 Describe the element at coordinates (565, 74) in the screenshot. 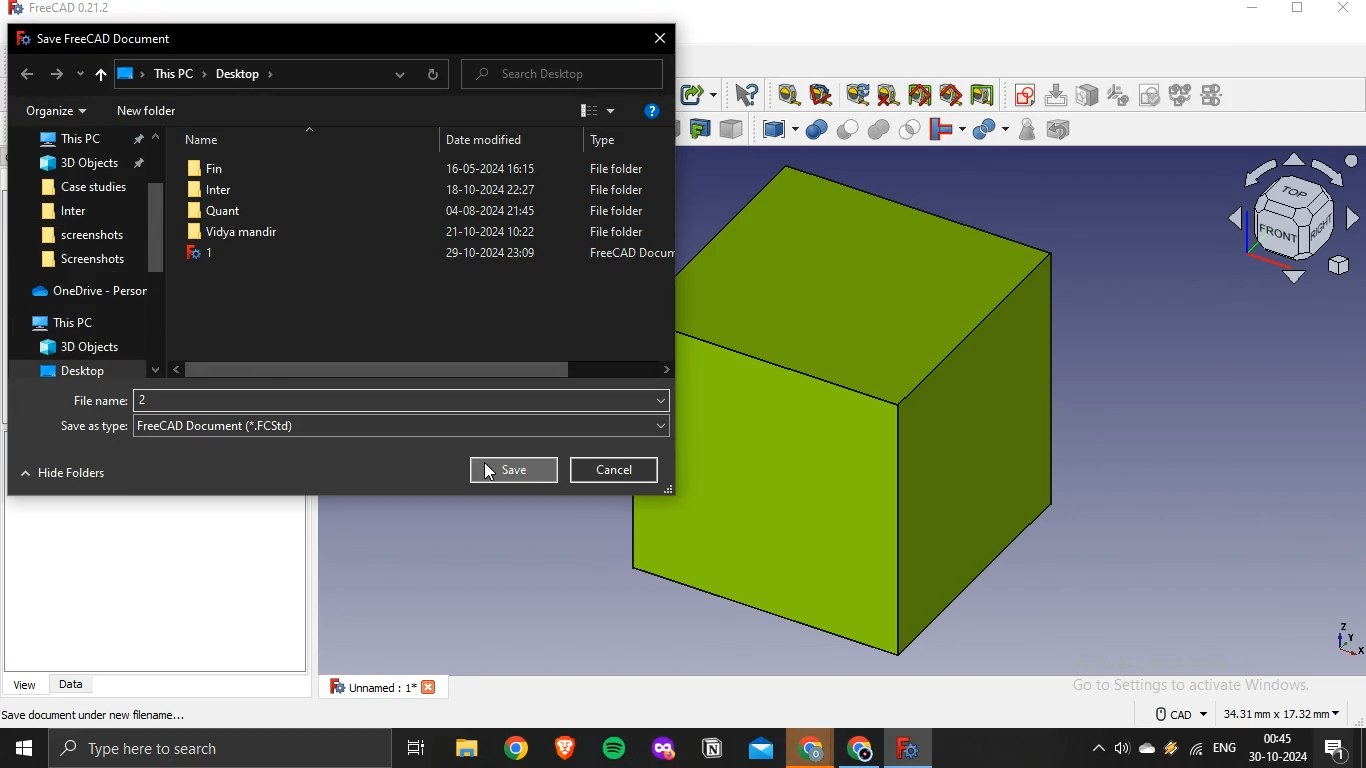

I see ` Search Desktop` at that location.